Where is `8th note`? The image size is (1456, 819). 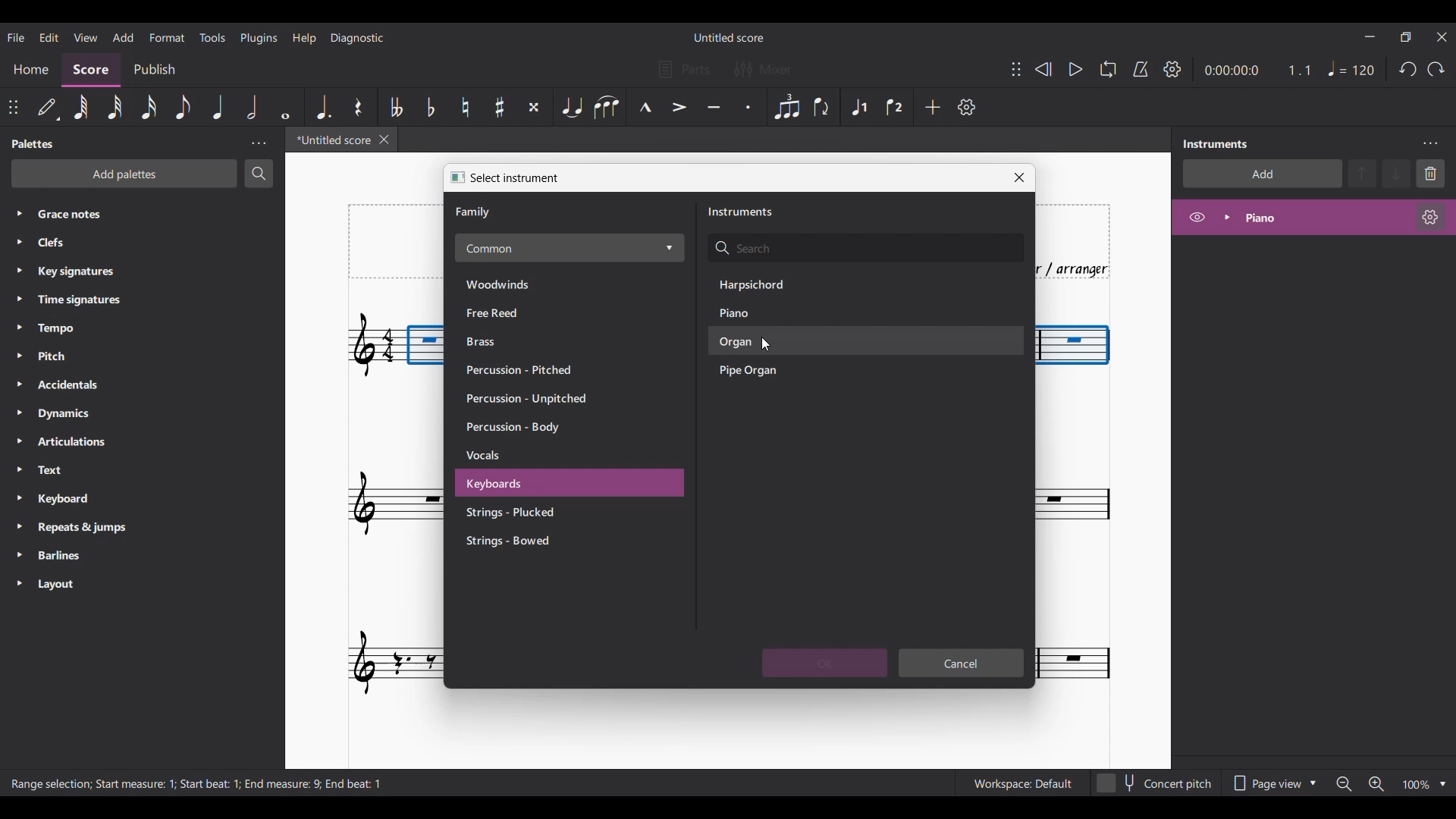 8th note is located at coordinates (184, 107).